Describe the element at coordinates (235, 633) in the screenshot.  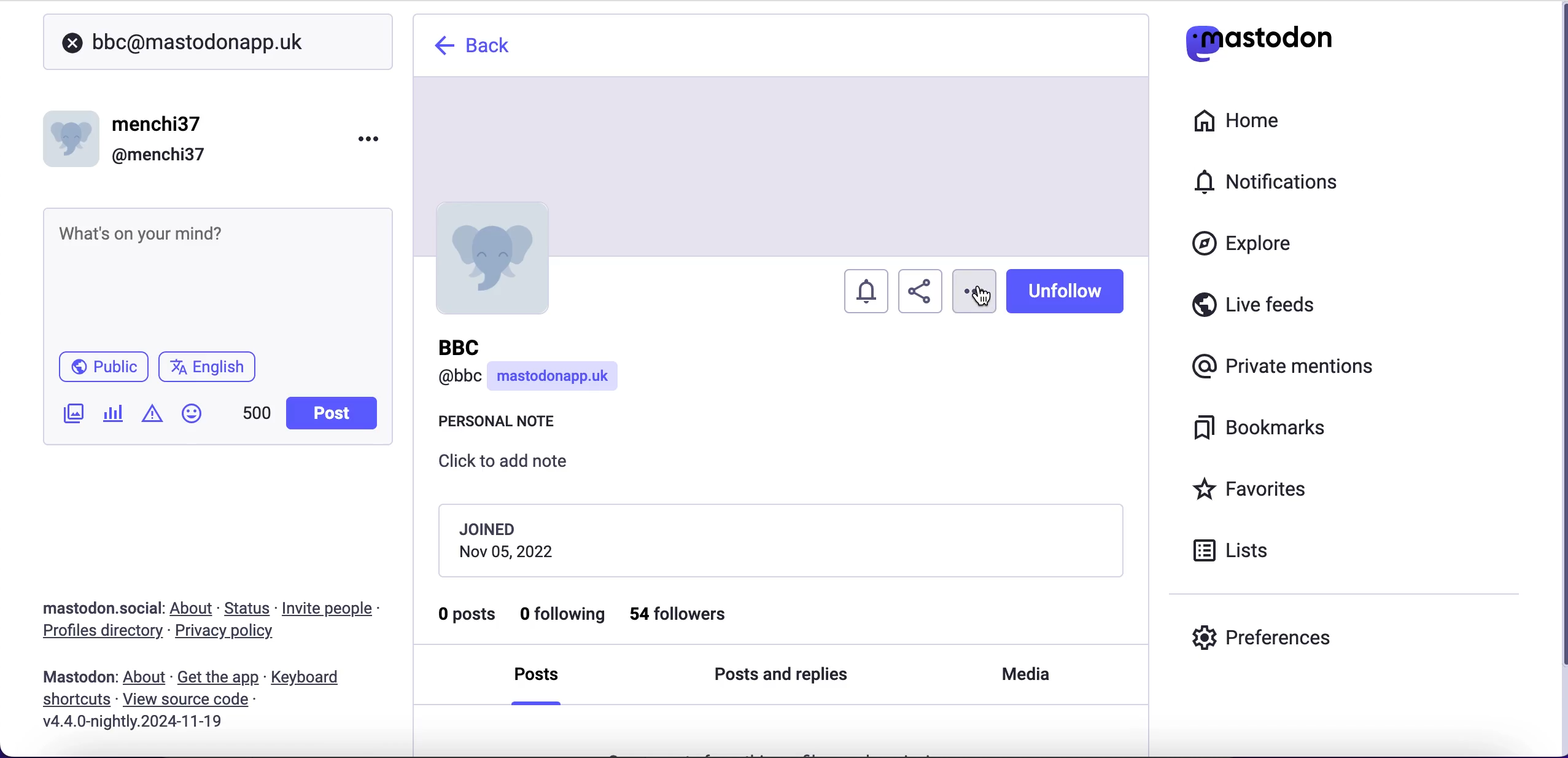
I see `privacy policy` at that location.